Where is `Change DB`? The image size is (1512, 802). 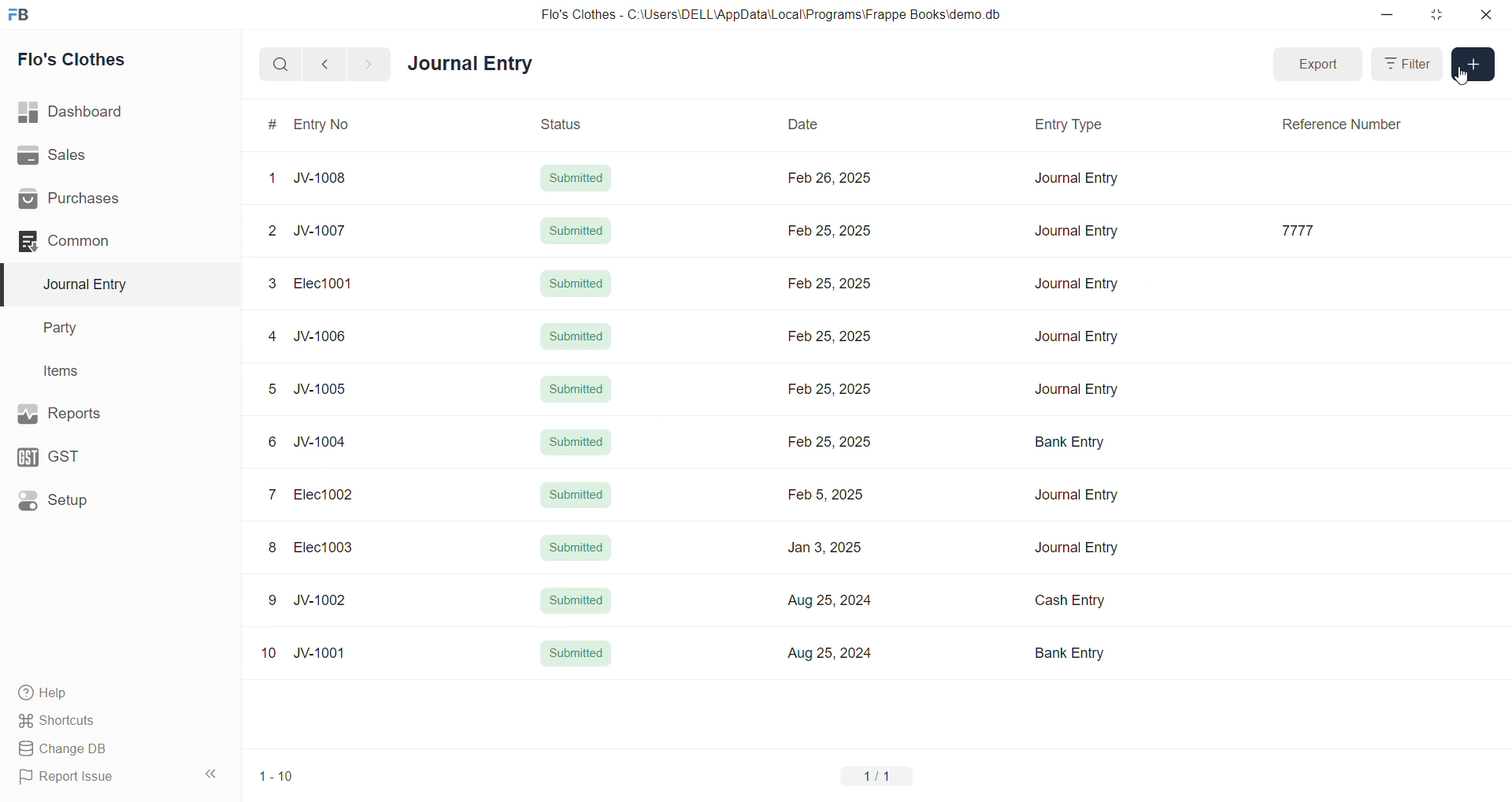
Change DB is located at coordinates (98, 748).